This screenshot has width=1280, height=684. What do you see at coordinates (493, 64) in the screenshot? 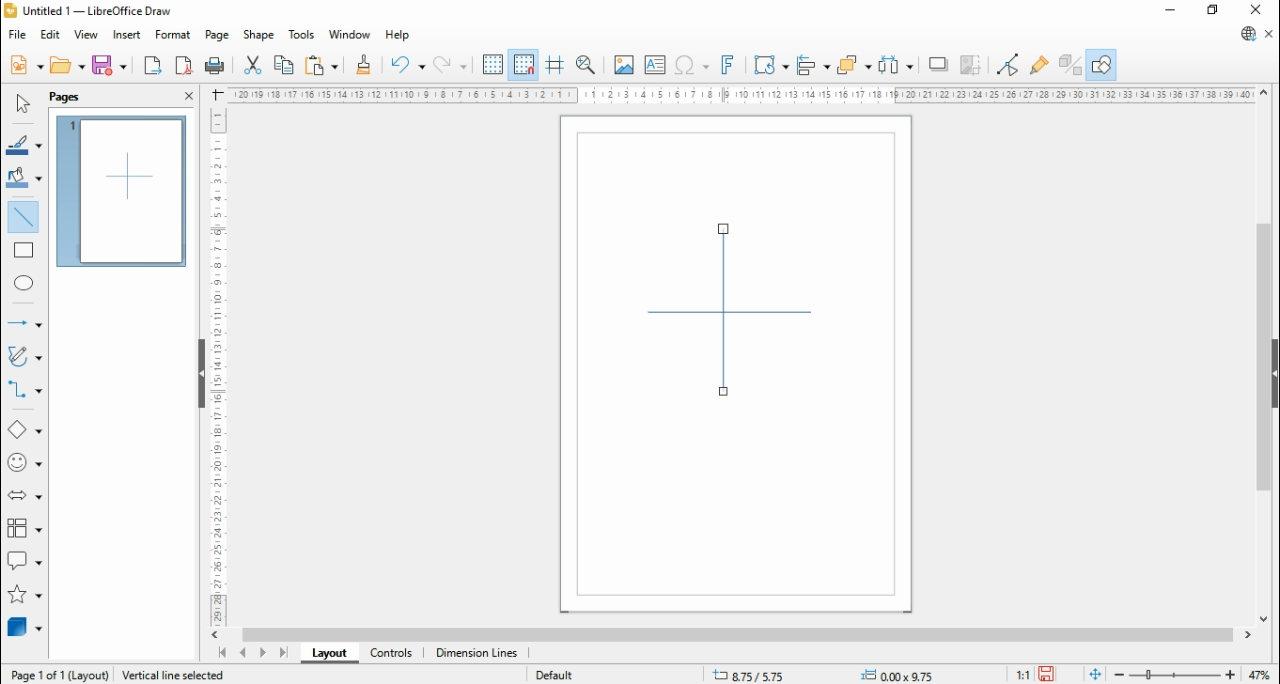
I see `show grids` at bounding box center [493, 64].